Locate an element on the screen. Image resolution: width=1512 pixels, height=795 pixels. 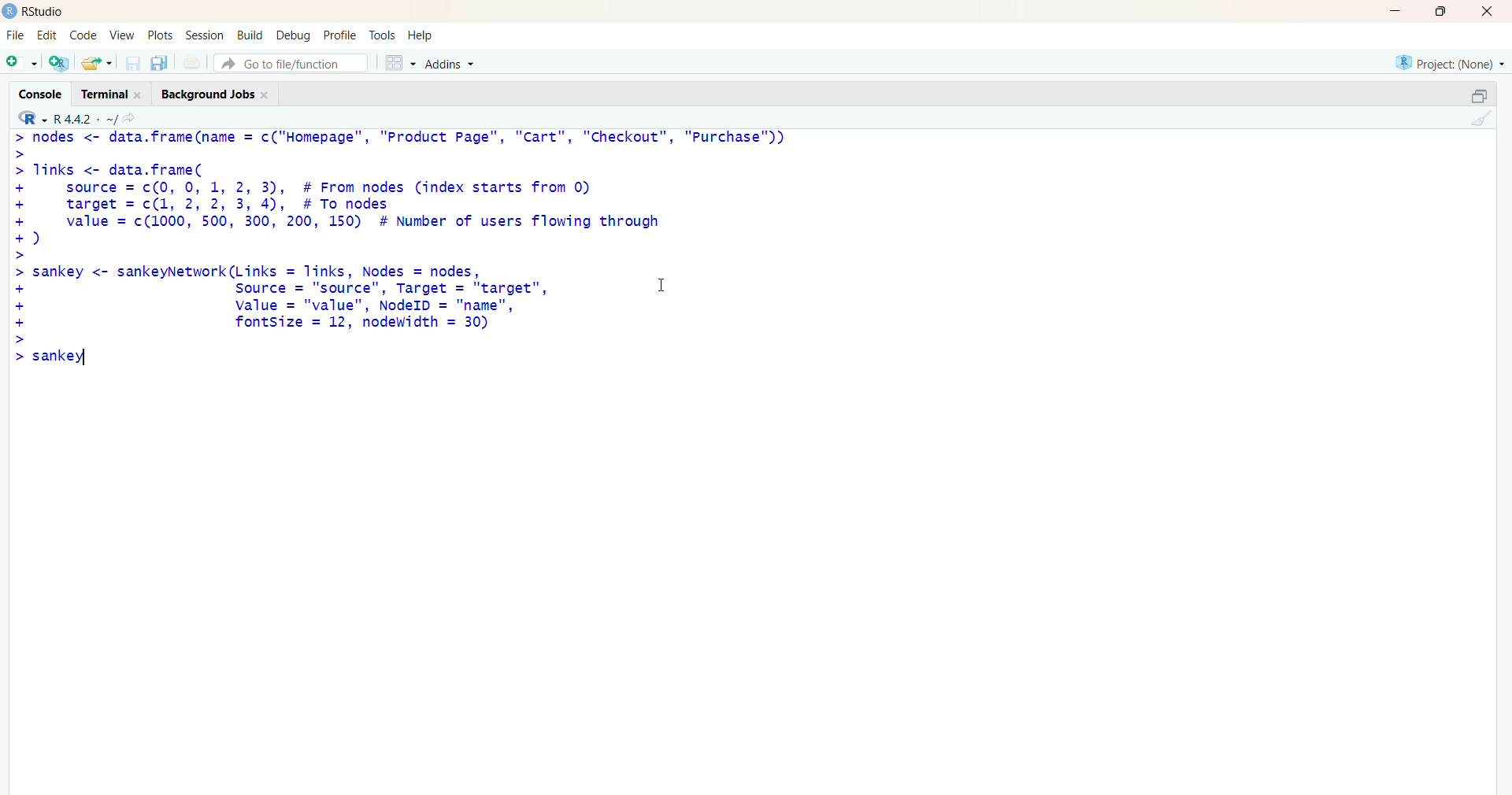
project (none) is located at coordinates (1440, 62).